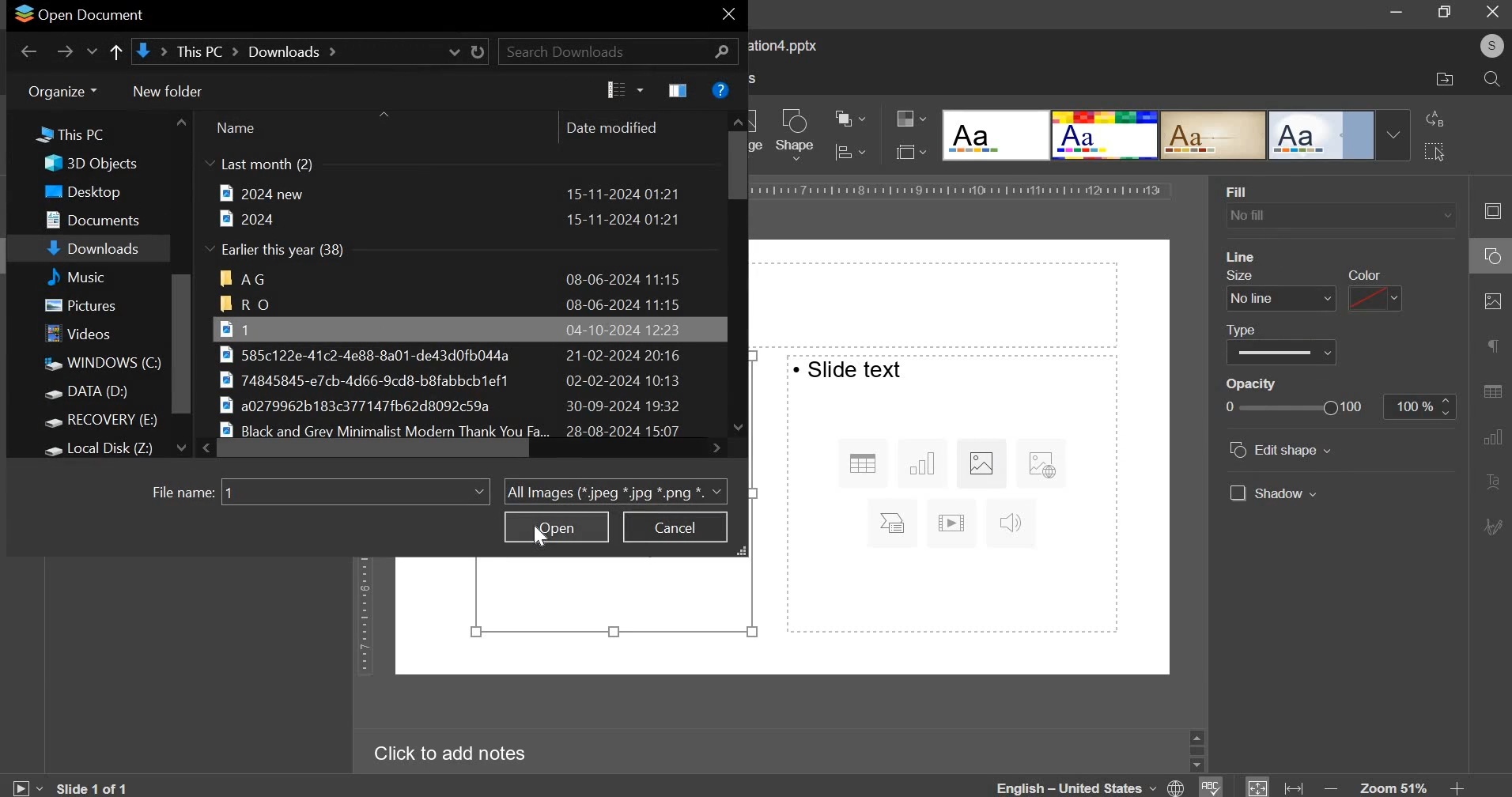 This screenshot has height=797, width=1512. I want to click on image file, so click(455, 354).